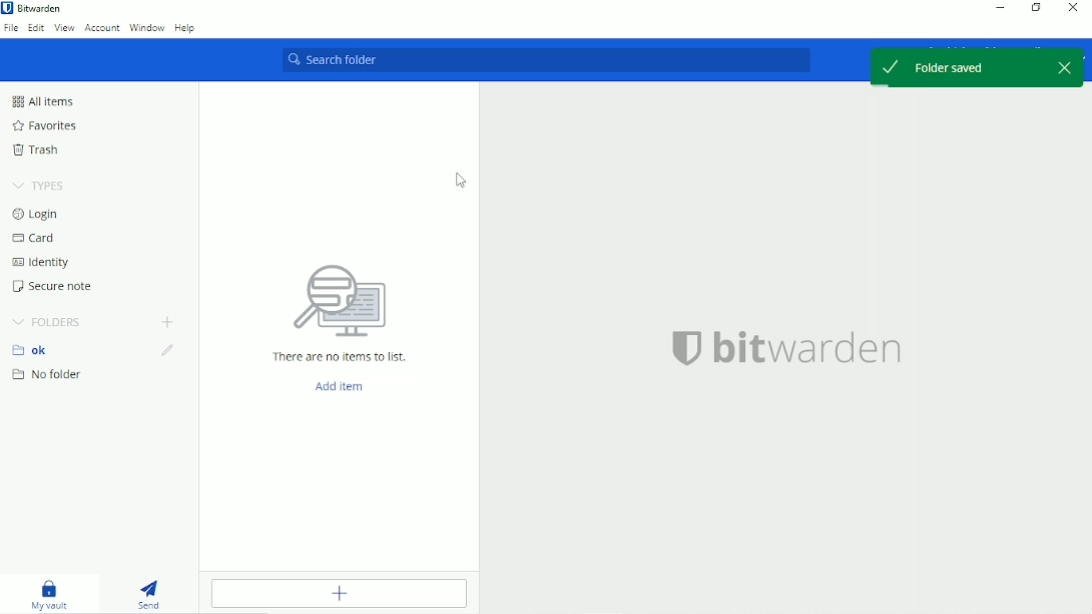 The image size is (1092, 614). Describe the element at coordinates (166, 323) in the screenshot. I see `Add folder` at that location.